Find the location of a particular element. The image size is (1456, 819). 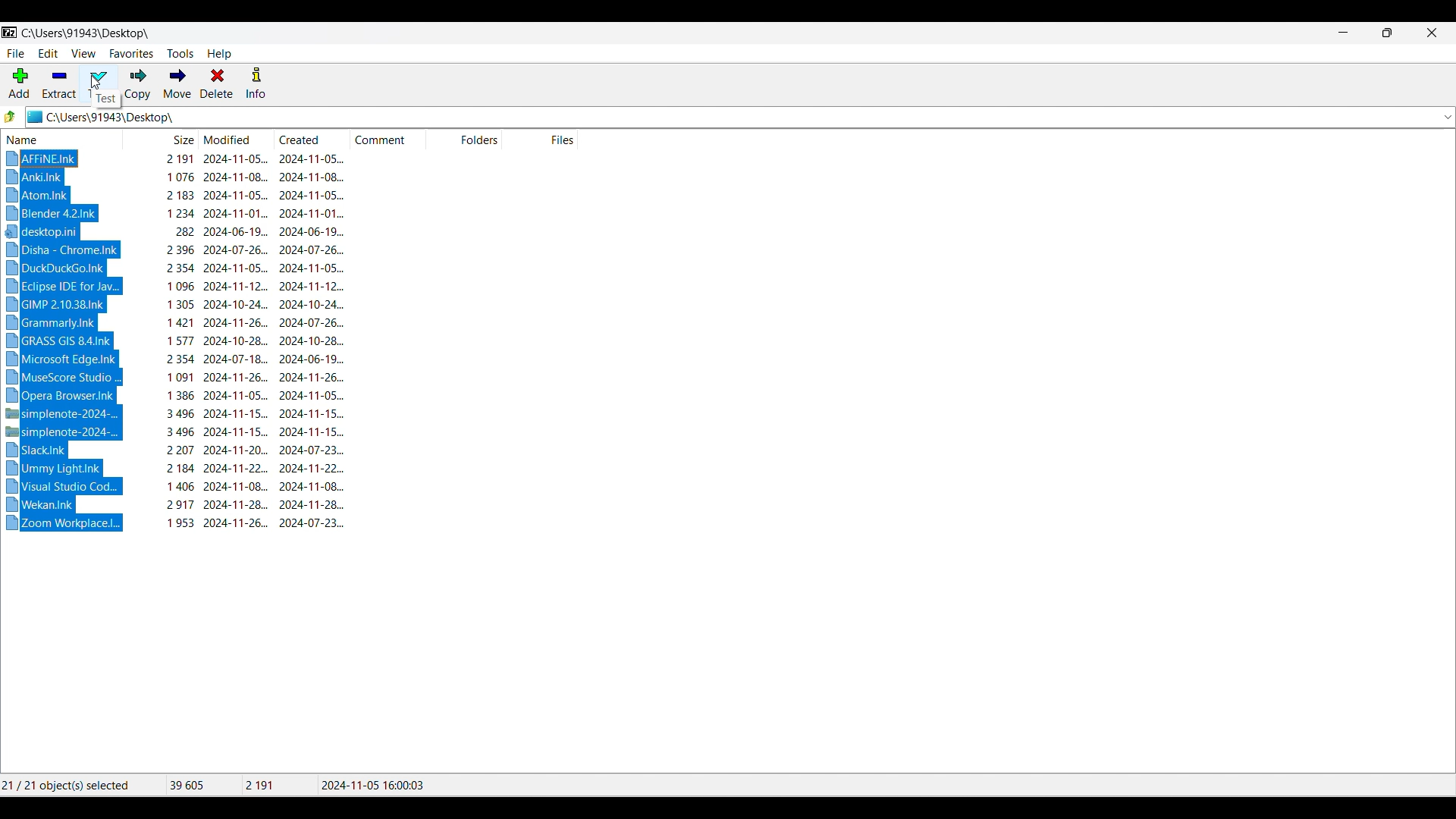

Size column is located at coordinates (159, 138).